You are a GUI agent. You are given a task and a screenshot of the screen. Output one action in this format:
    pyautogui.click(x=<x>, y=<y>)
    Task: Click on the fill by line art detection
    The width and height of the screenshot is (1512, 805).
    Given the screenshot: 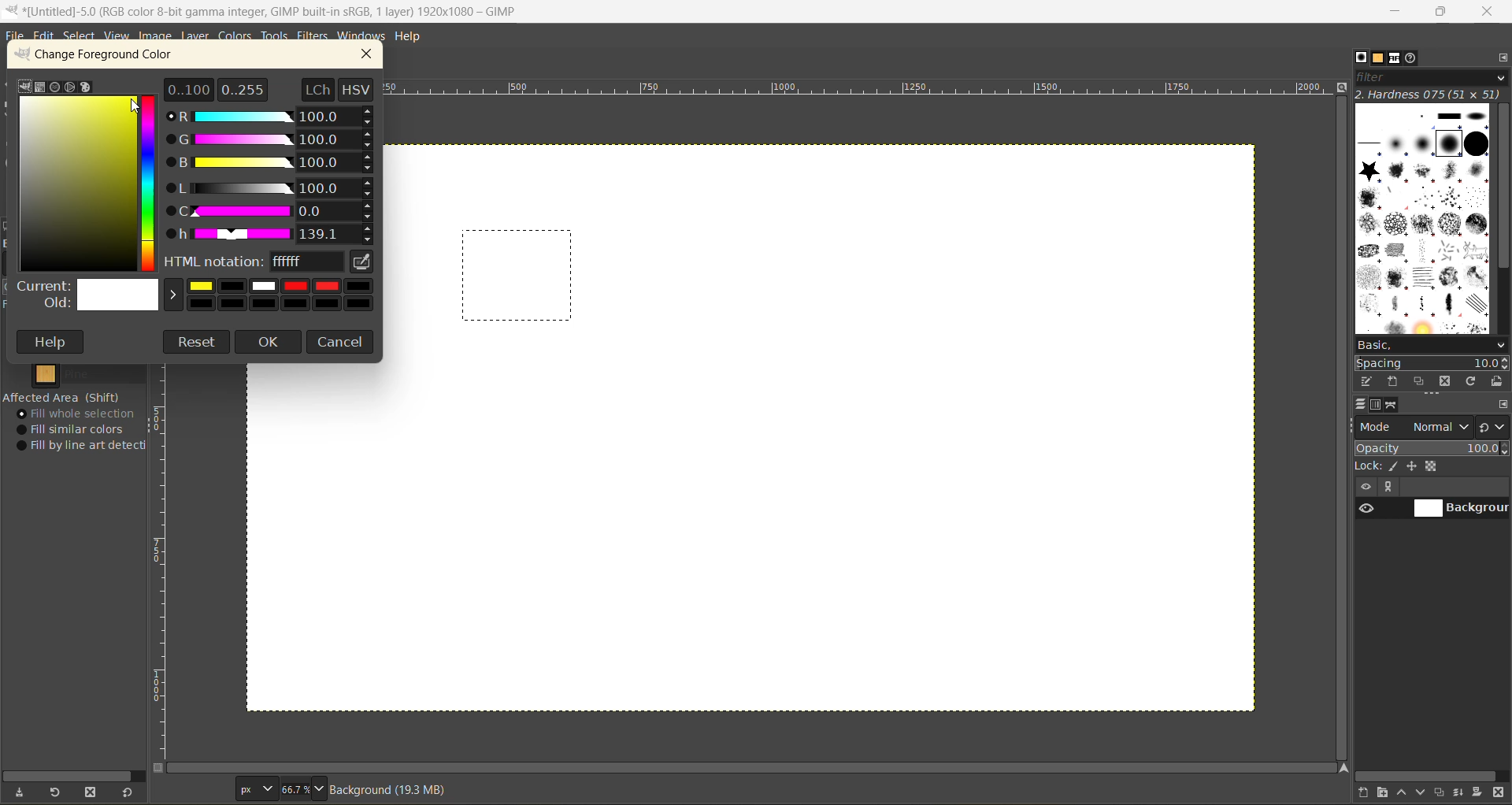 What is the action you would take?
    pyautogui.click(x=85, y=447)
    